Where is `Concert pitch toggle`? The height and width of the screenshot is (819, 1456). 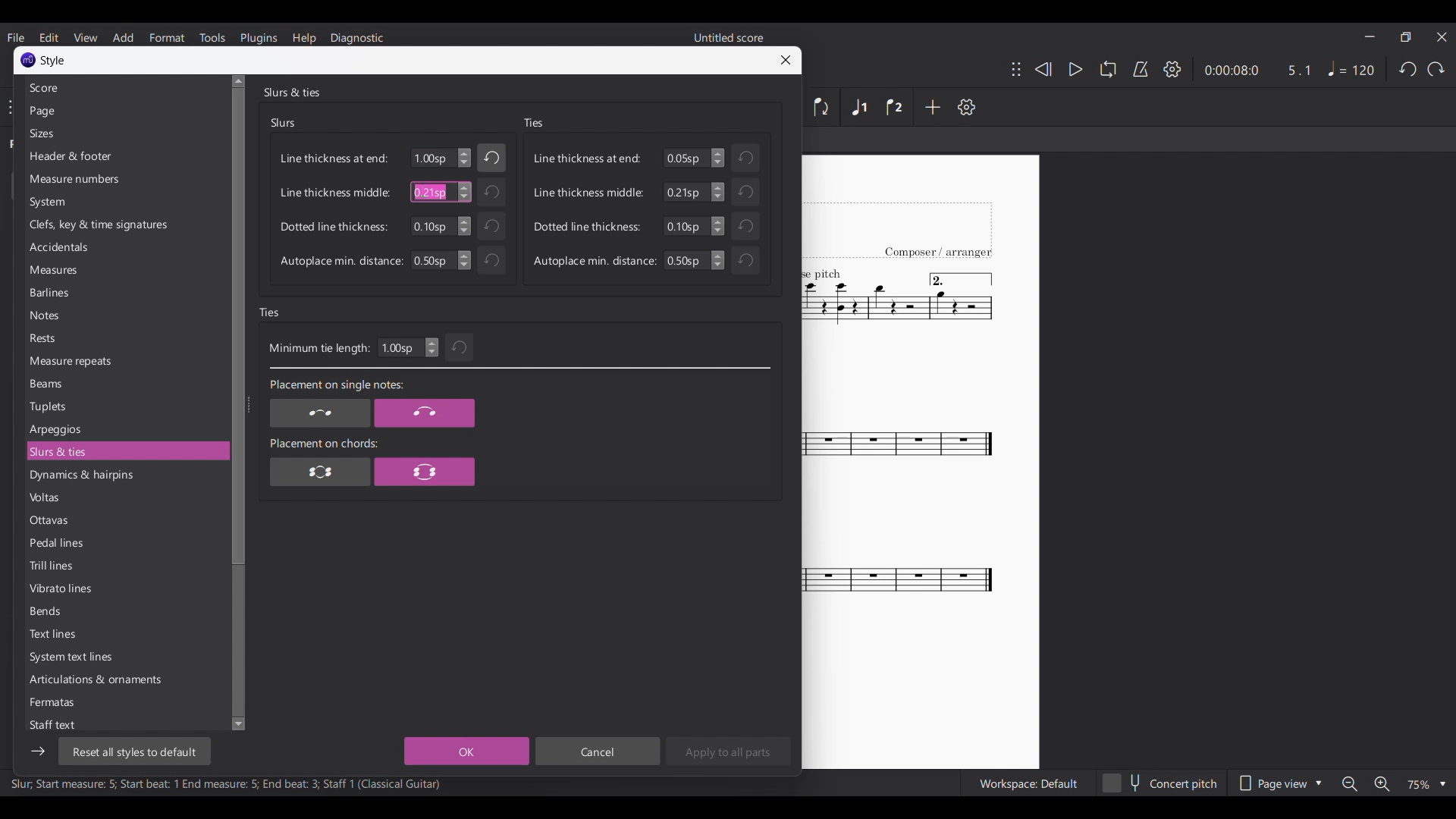 Concert pitch toggle is located at coordinates (1161, 783).